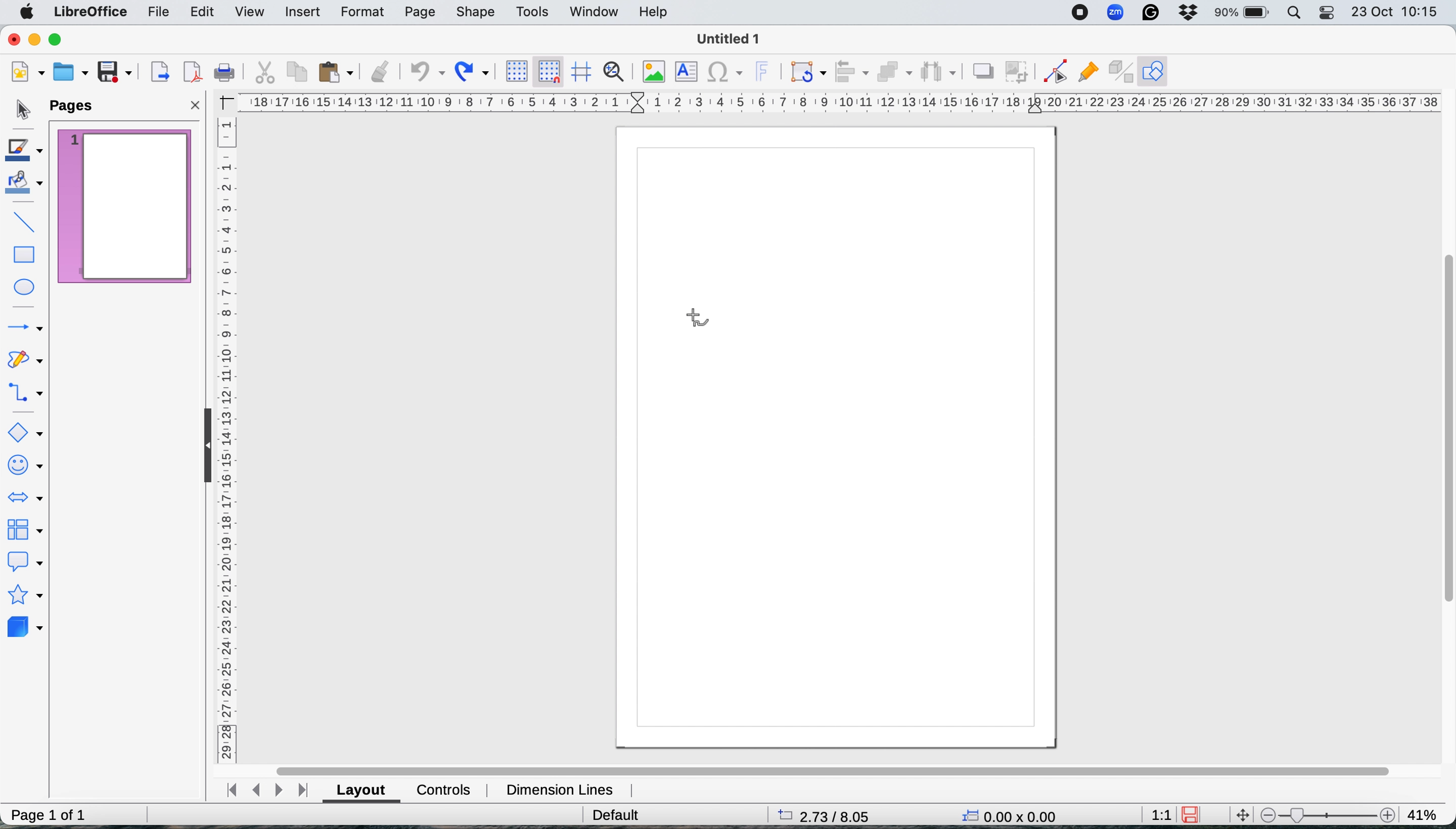  I want to click on insert fontwork text, so click(766, 72).